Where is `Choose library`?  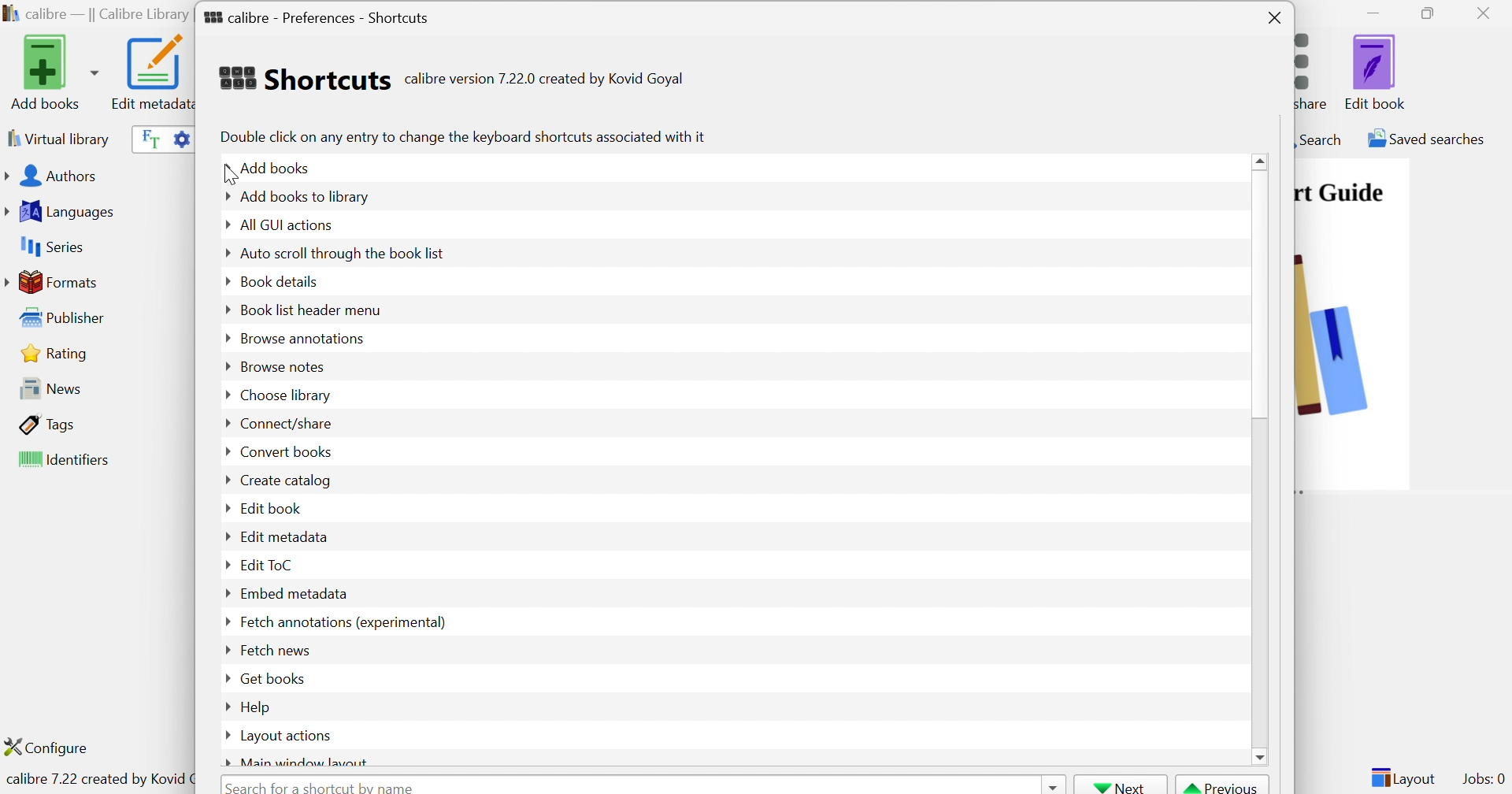
Choose library is located at coordinates (284, 396).